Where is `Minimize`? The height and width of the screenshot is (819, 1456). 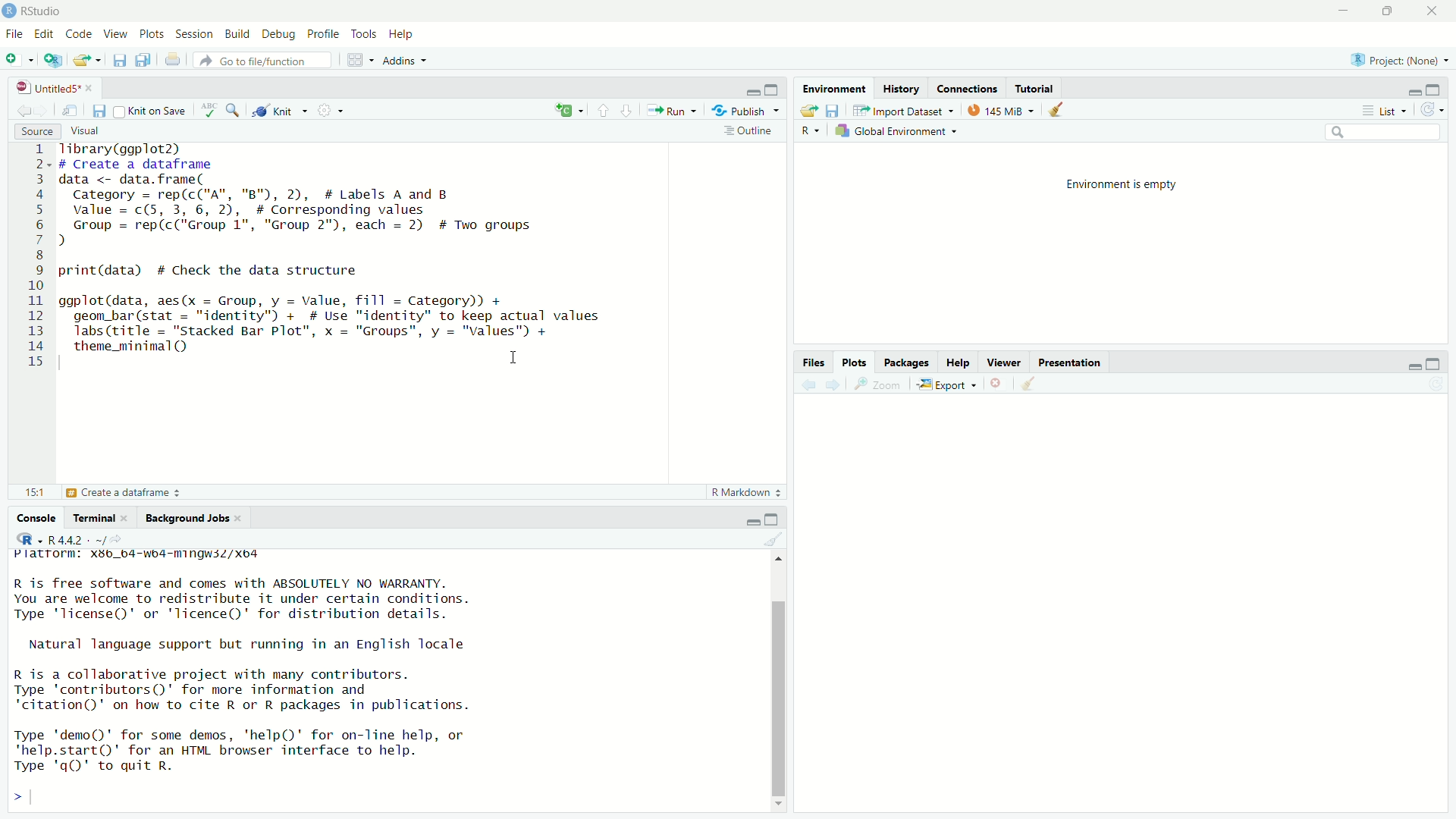
Minimize is located at coordinates (1412, 91).